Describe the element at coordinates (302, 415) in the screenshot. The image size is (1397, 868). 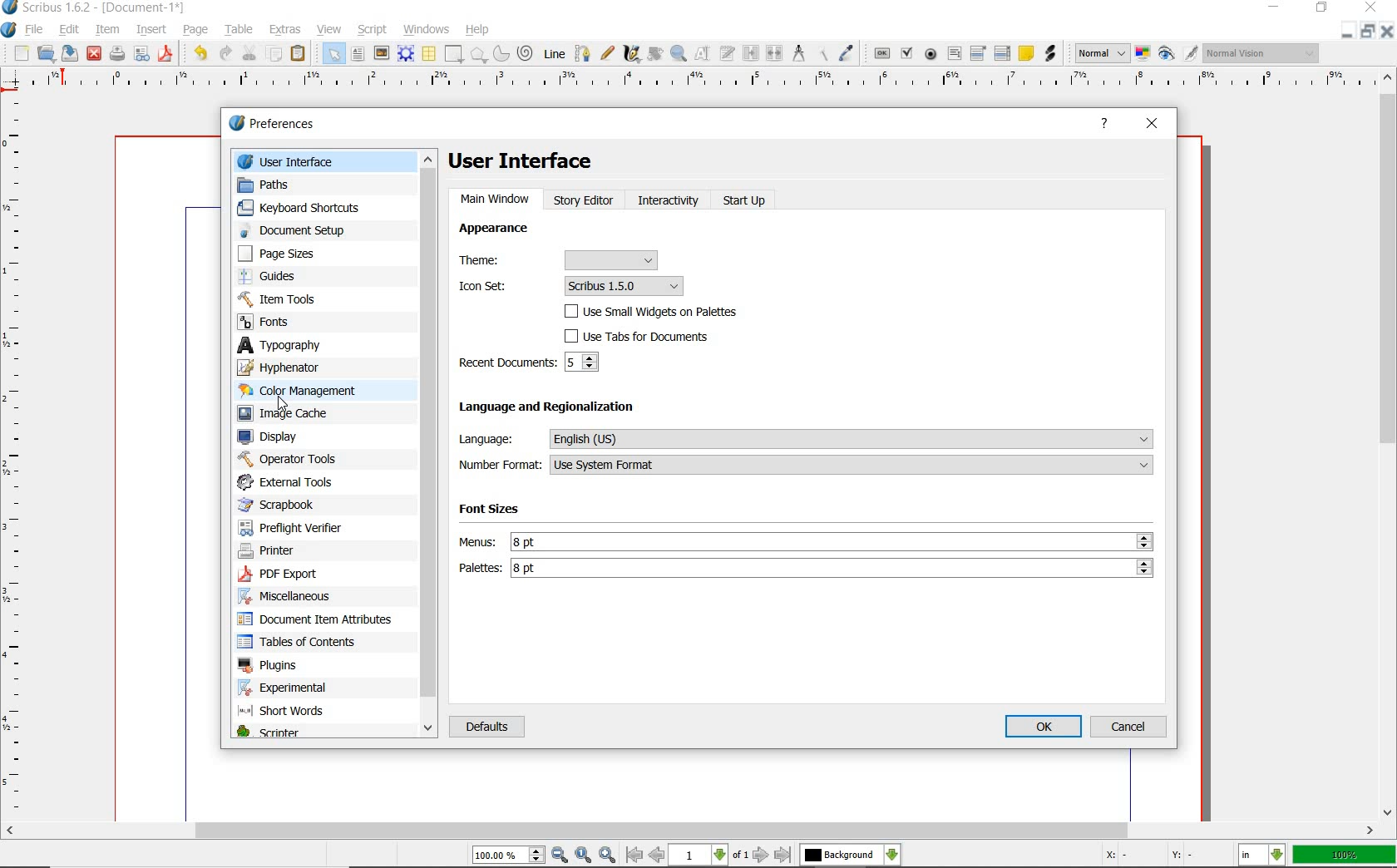
I see `image cache` at that location.